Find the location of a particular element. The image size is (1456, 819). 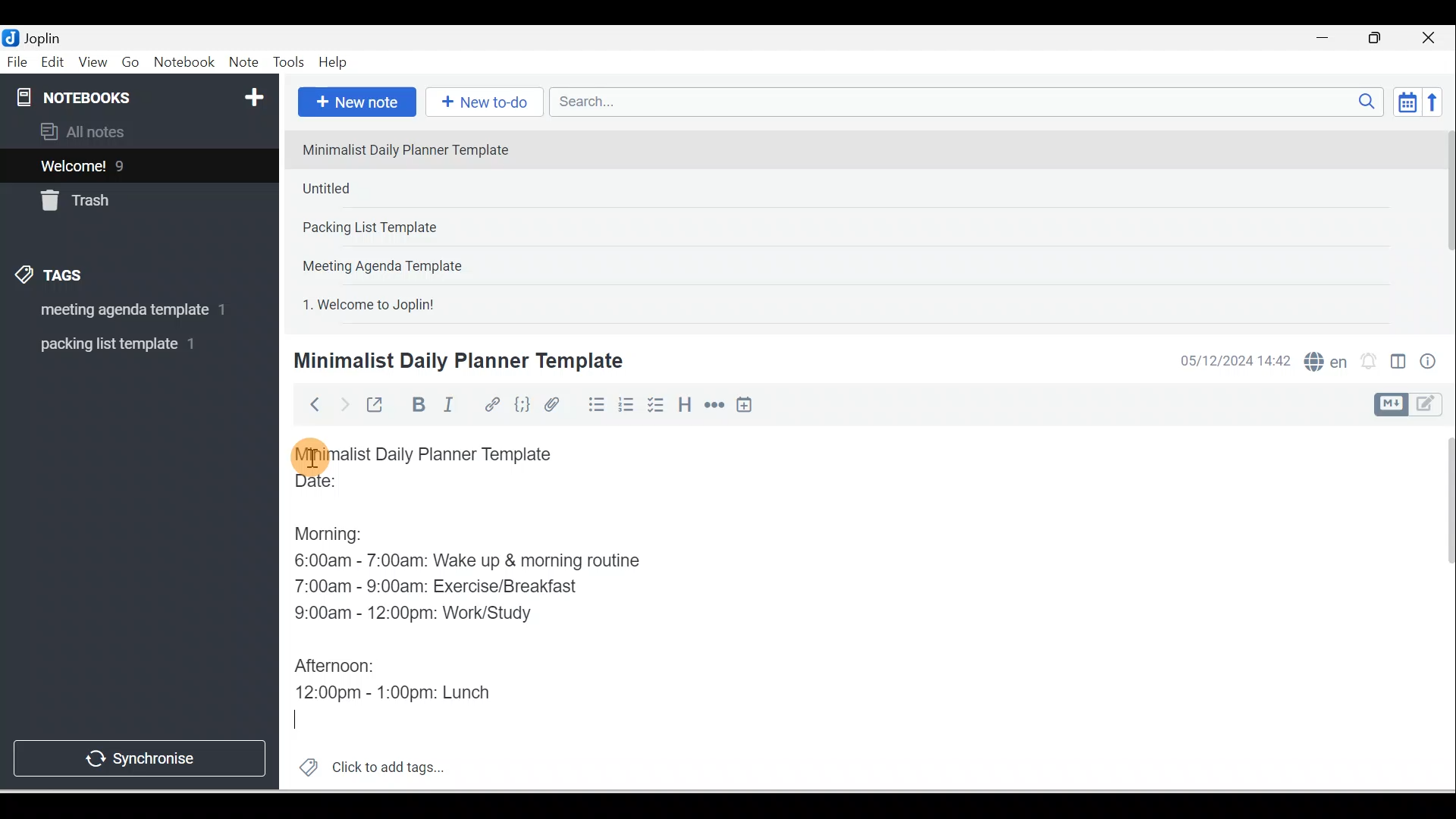

Edit is located at coordinates (54, 63).